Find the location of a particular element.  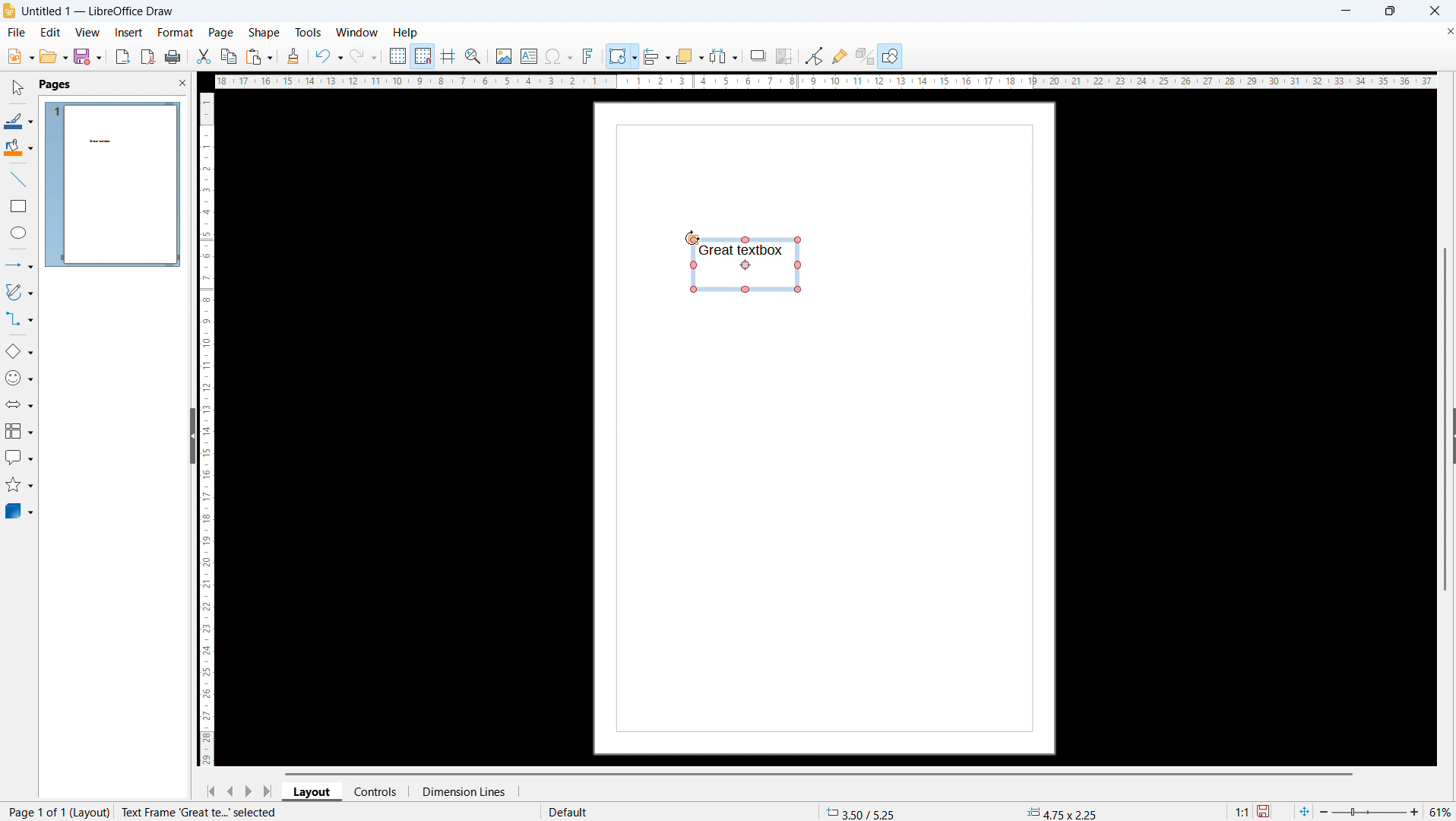

redo is located at coordinates (364, 55).